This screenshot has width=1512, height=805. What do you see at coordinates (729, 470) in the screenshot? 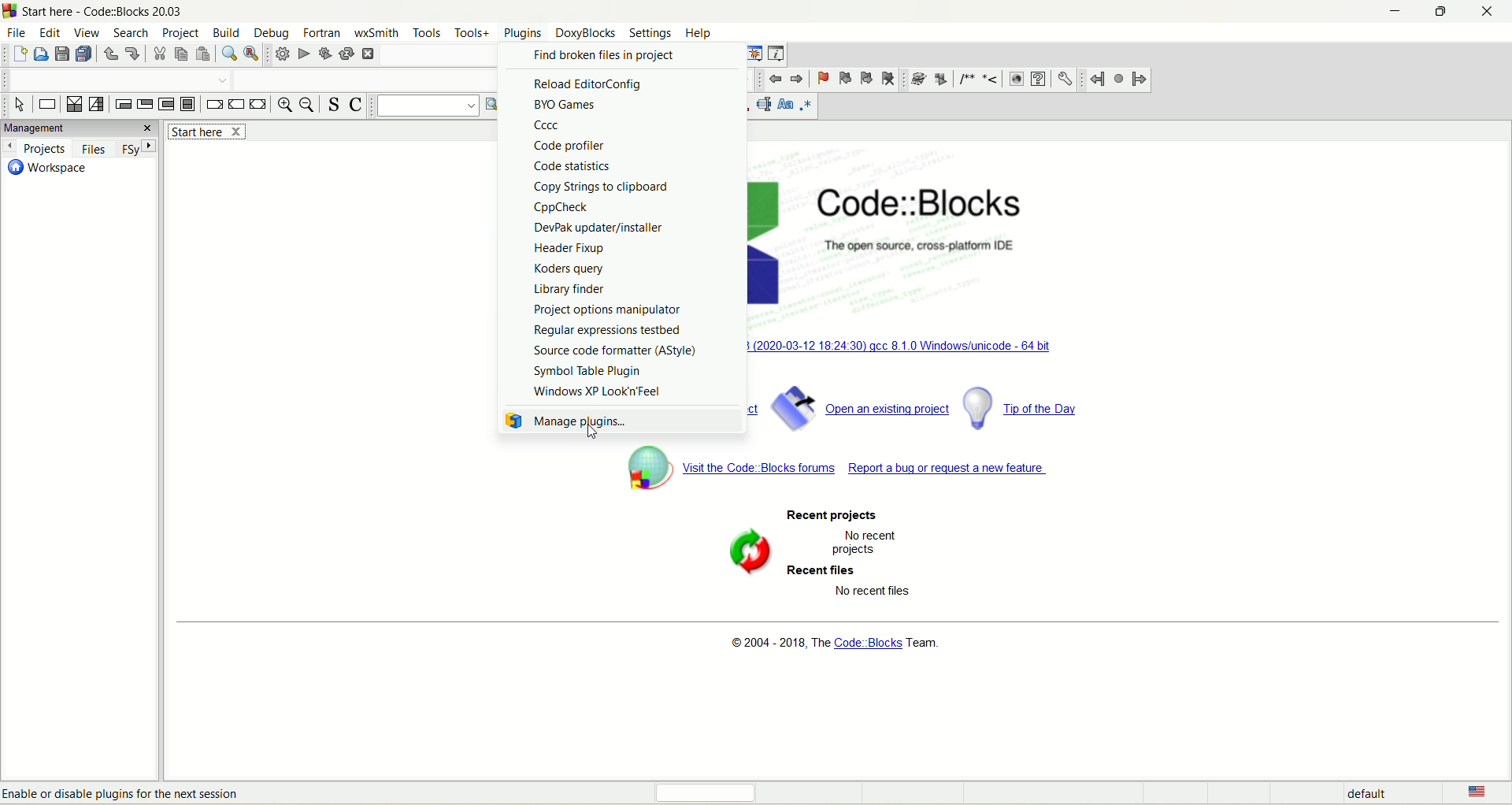
I see `block forums` at bounding box center [729, 470].